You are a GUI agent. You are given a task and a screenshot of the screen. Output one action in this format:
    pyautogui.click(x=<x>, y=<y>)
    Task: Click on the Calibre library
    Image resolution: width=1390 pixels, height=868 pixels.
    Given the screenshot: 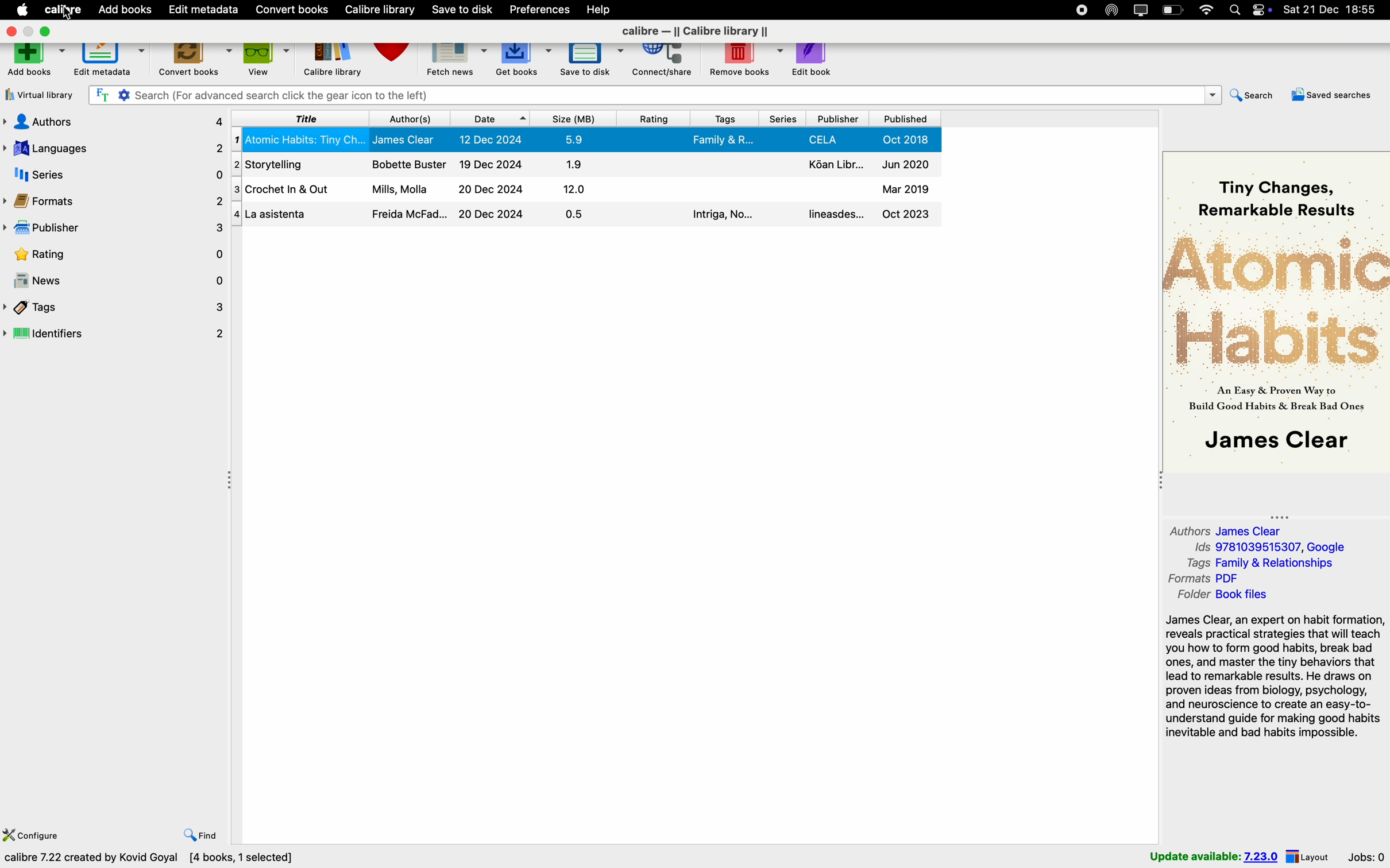 What is the action you would take?
    pyautogui.click(x=334, y=63)
    